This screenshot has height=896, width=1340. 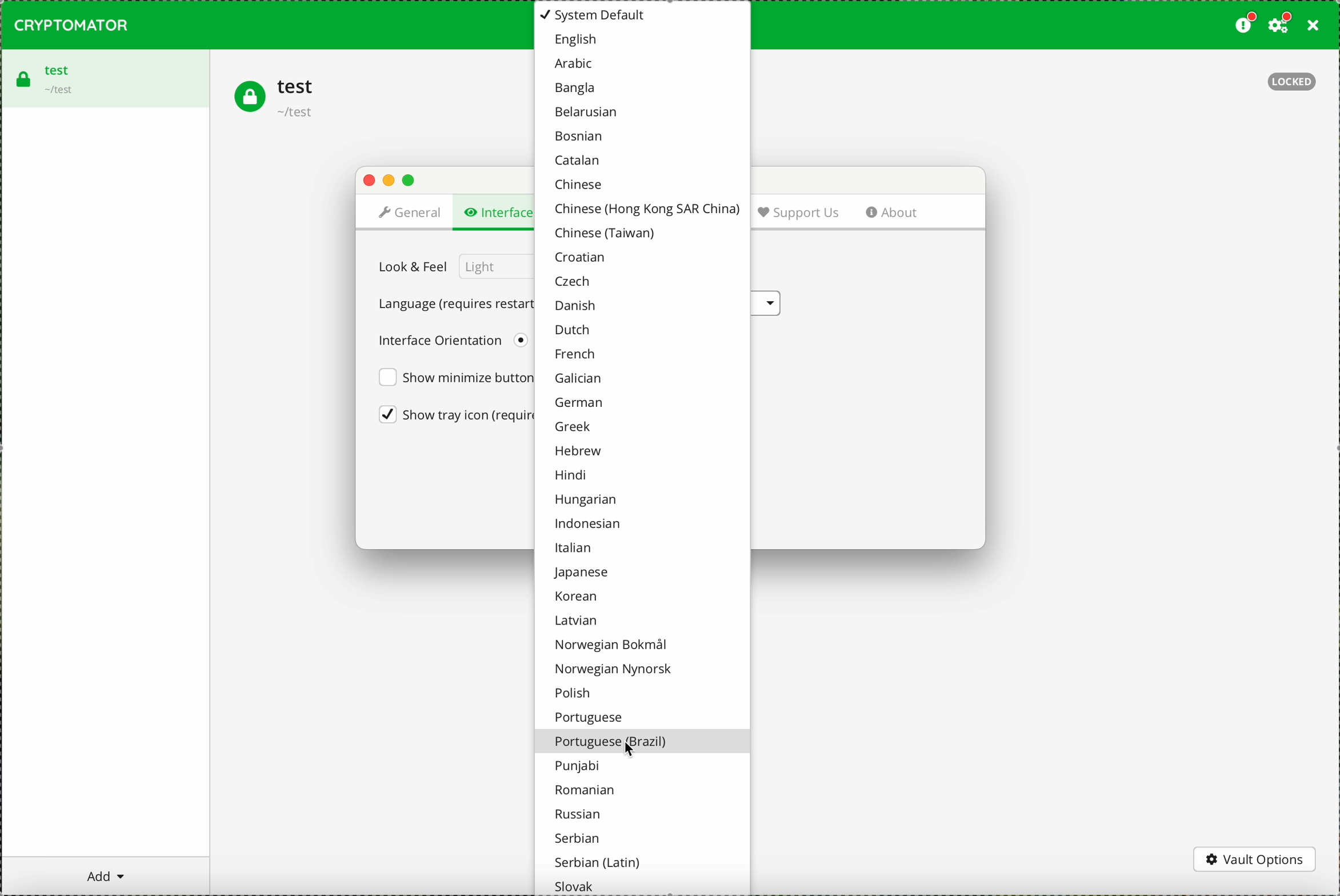 What do you see at coordinates (894, 213) in the screenshot?
I see `about` at bounding box center [894, 213].